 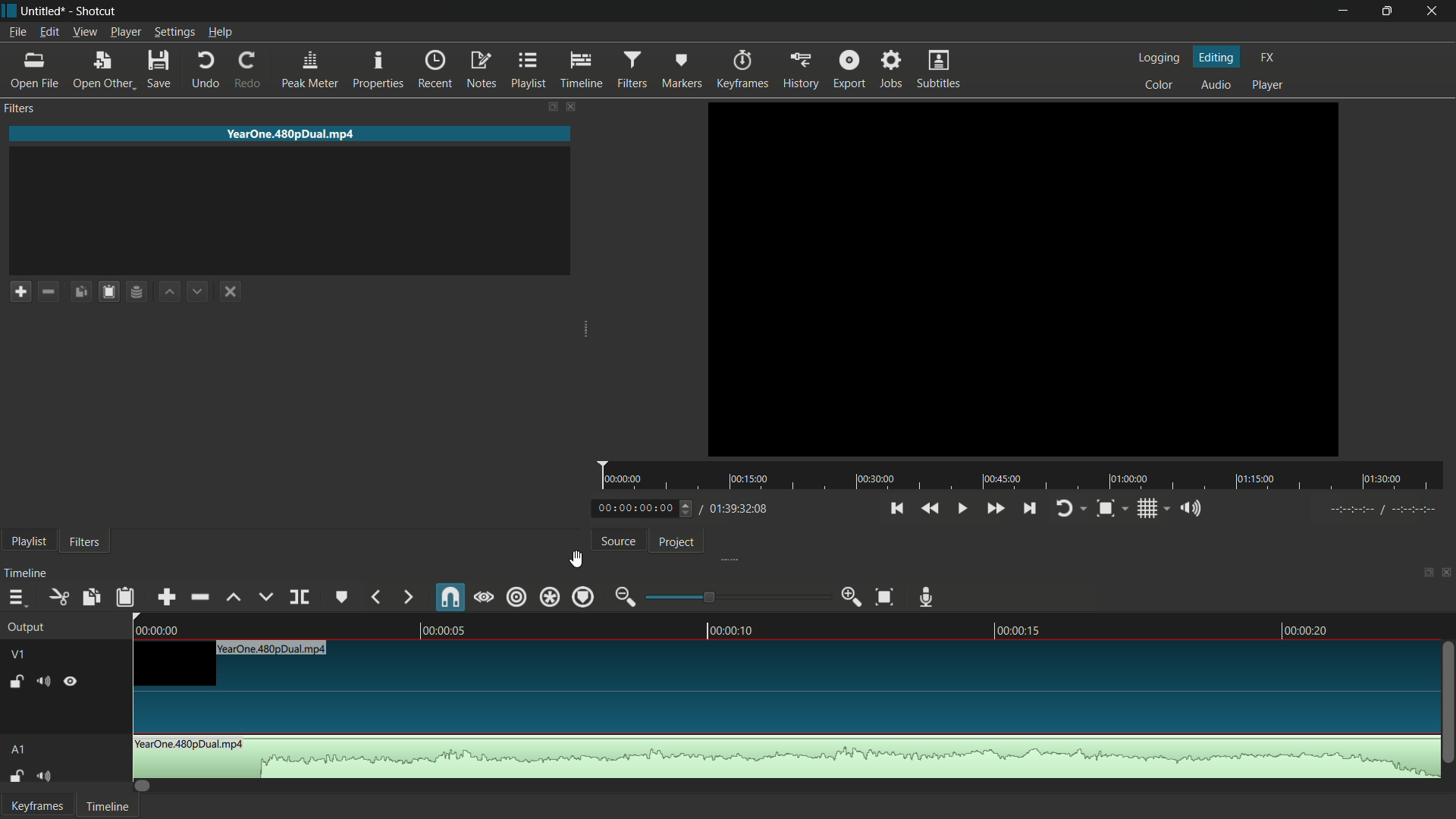 What do you see at coordinates (49, 32) in the screenshot?
I see `edit menu` at bounding box center [49, 32].